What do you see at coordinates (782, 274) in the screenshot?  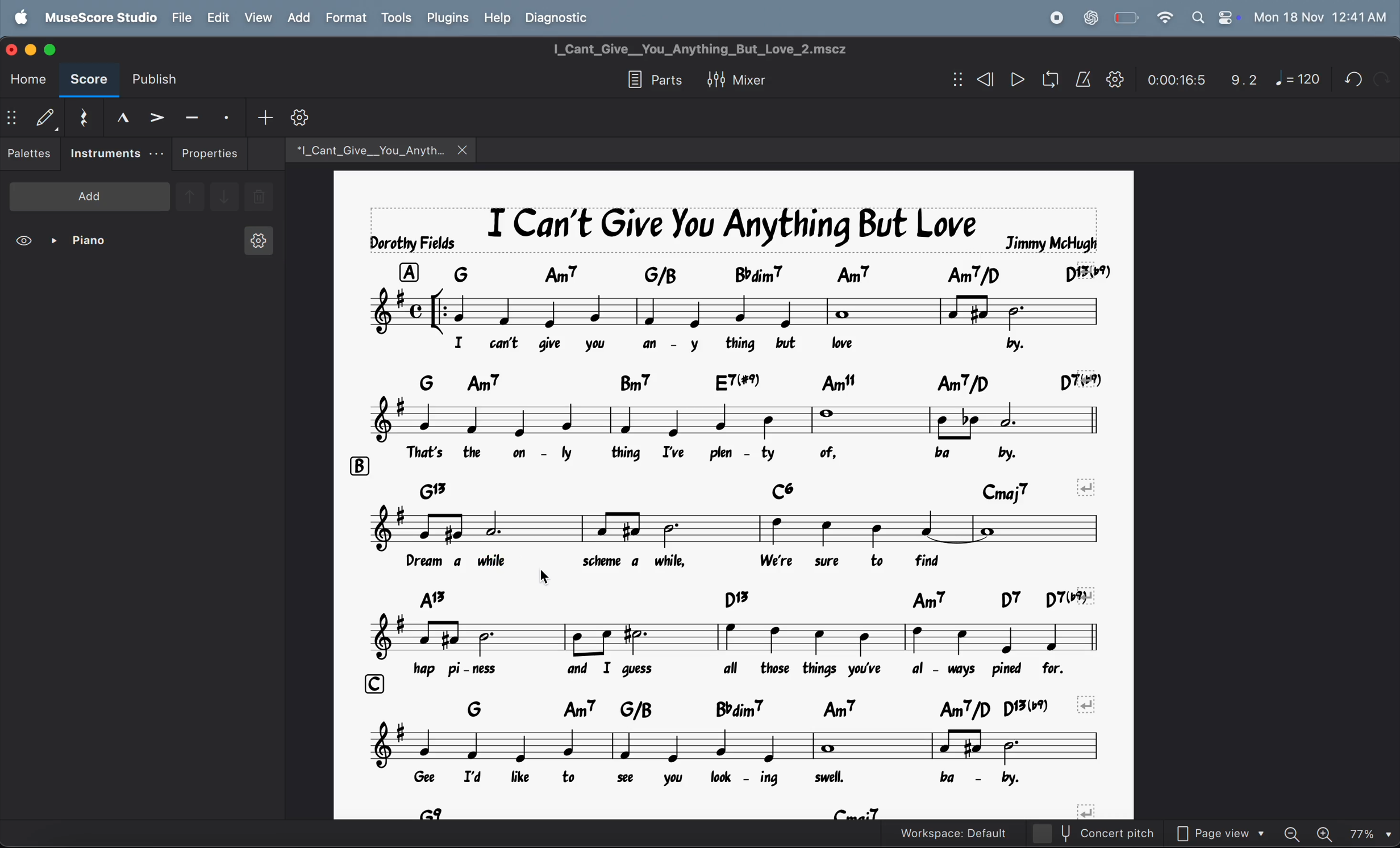 I see `chord symbols` at bounding box center [782, 274].